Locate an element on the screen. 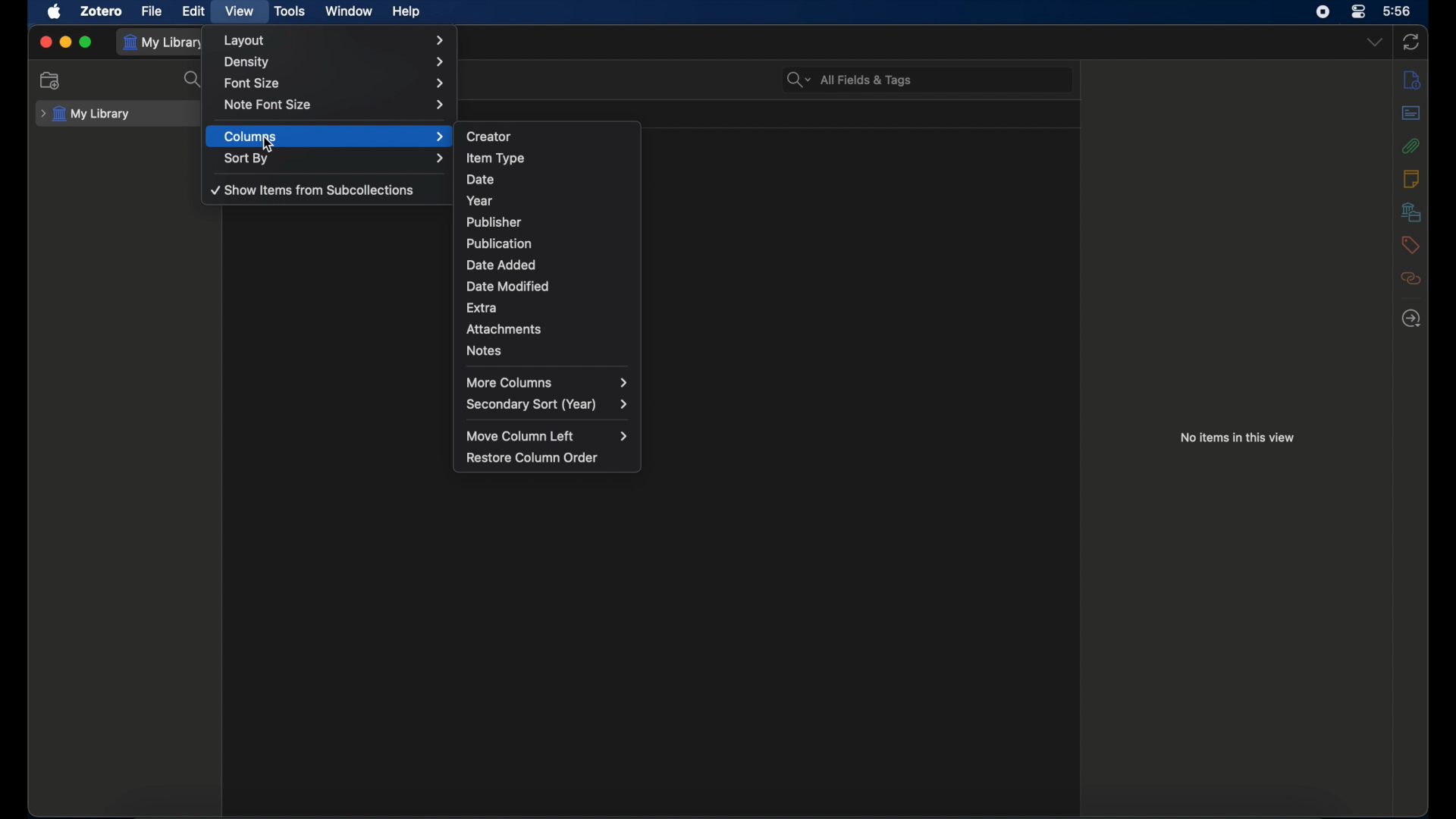 This screenshot has height=819, width=1456. attachments is located at coordinates (548, 327).